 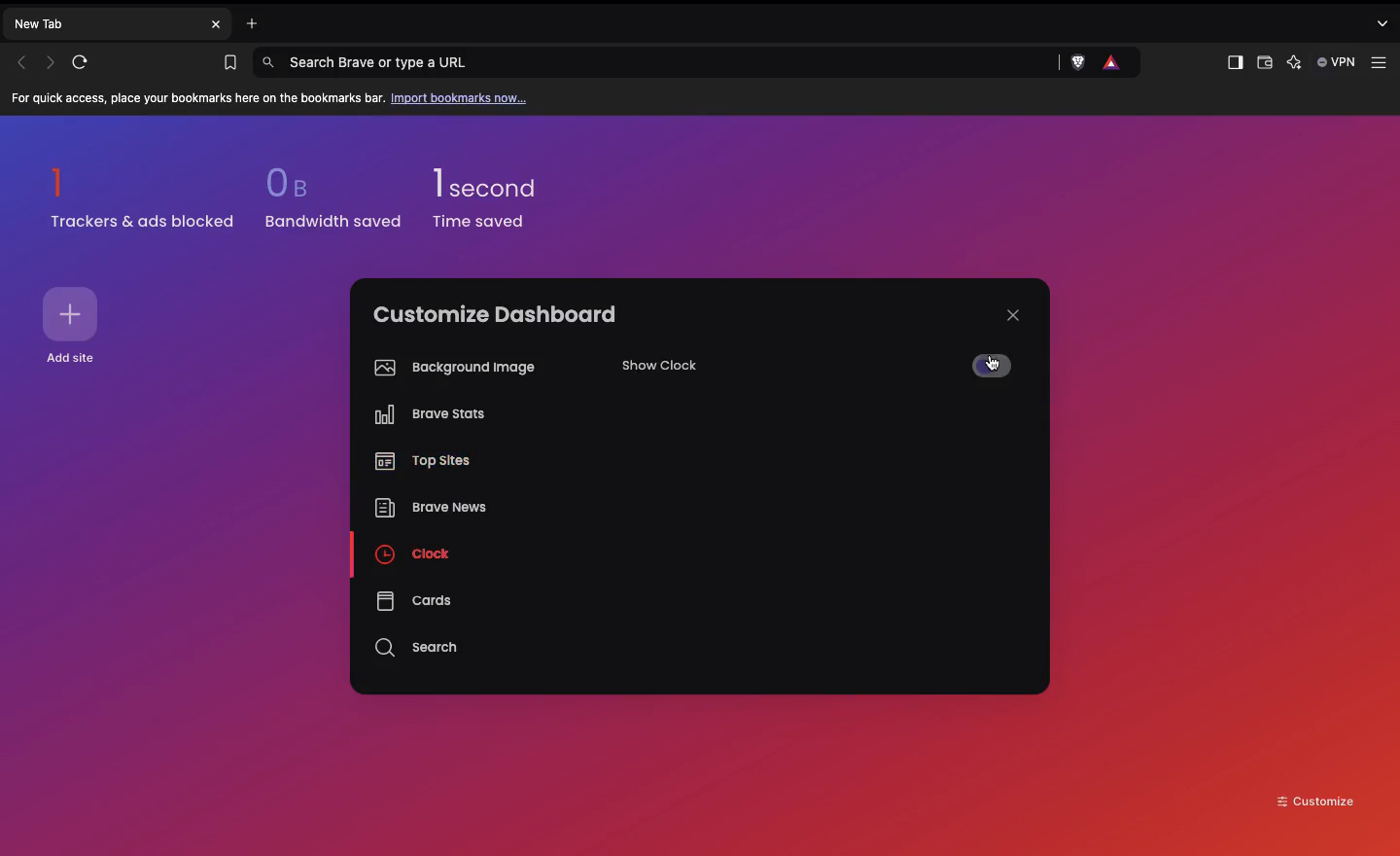 What do you see at coordinates (1013, 315) in the screenshot?
I see `Close` at bounding box center [1013, 315].